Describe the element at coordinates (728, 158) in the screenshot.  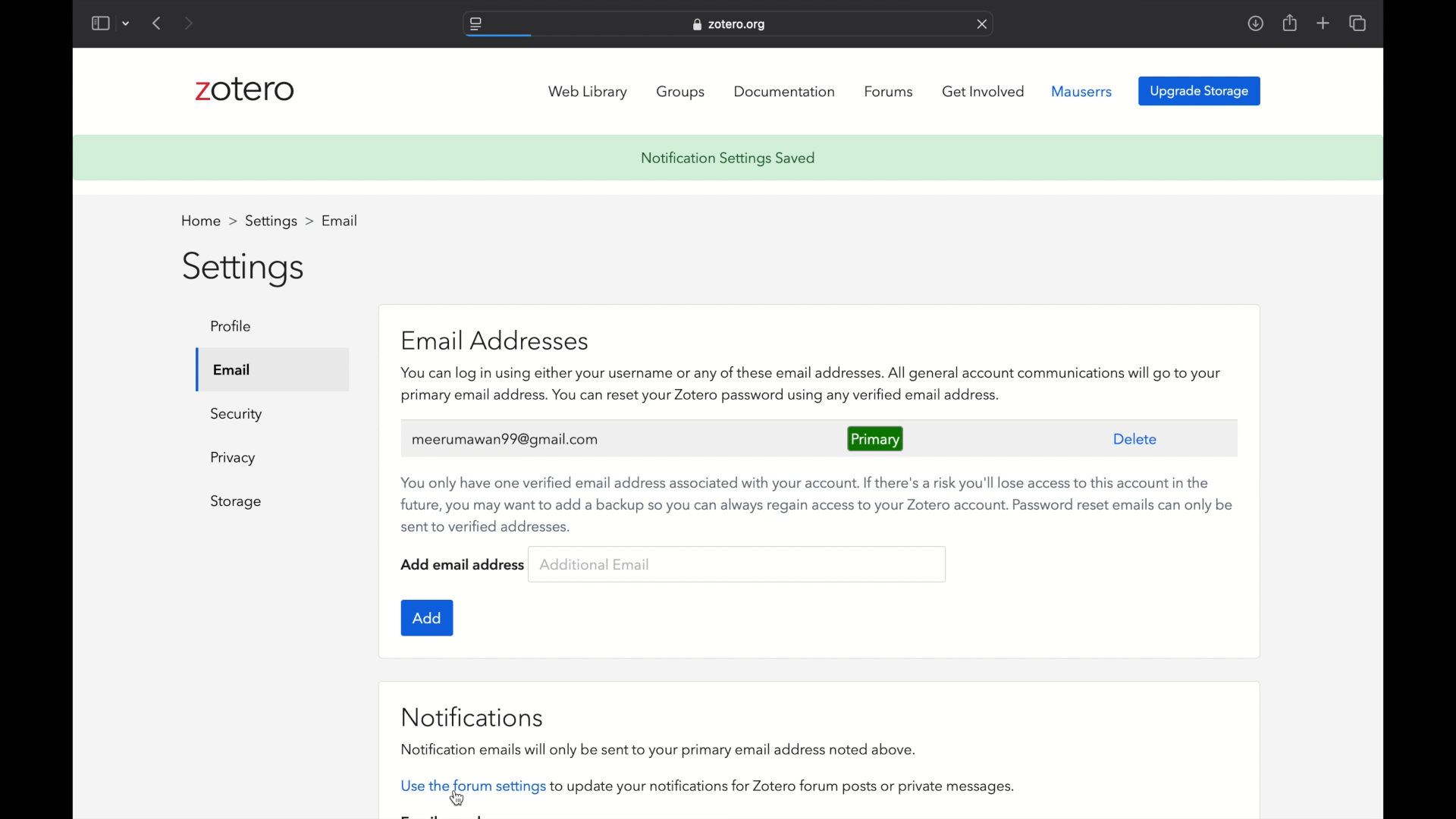
I see `notification settings saved` at that location.